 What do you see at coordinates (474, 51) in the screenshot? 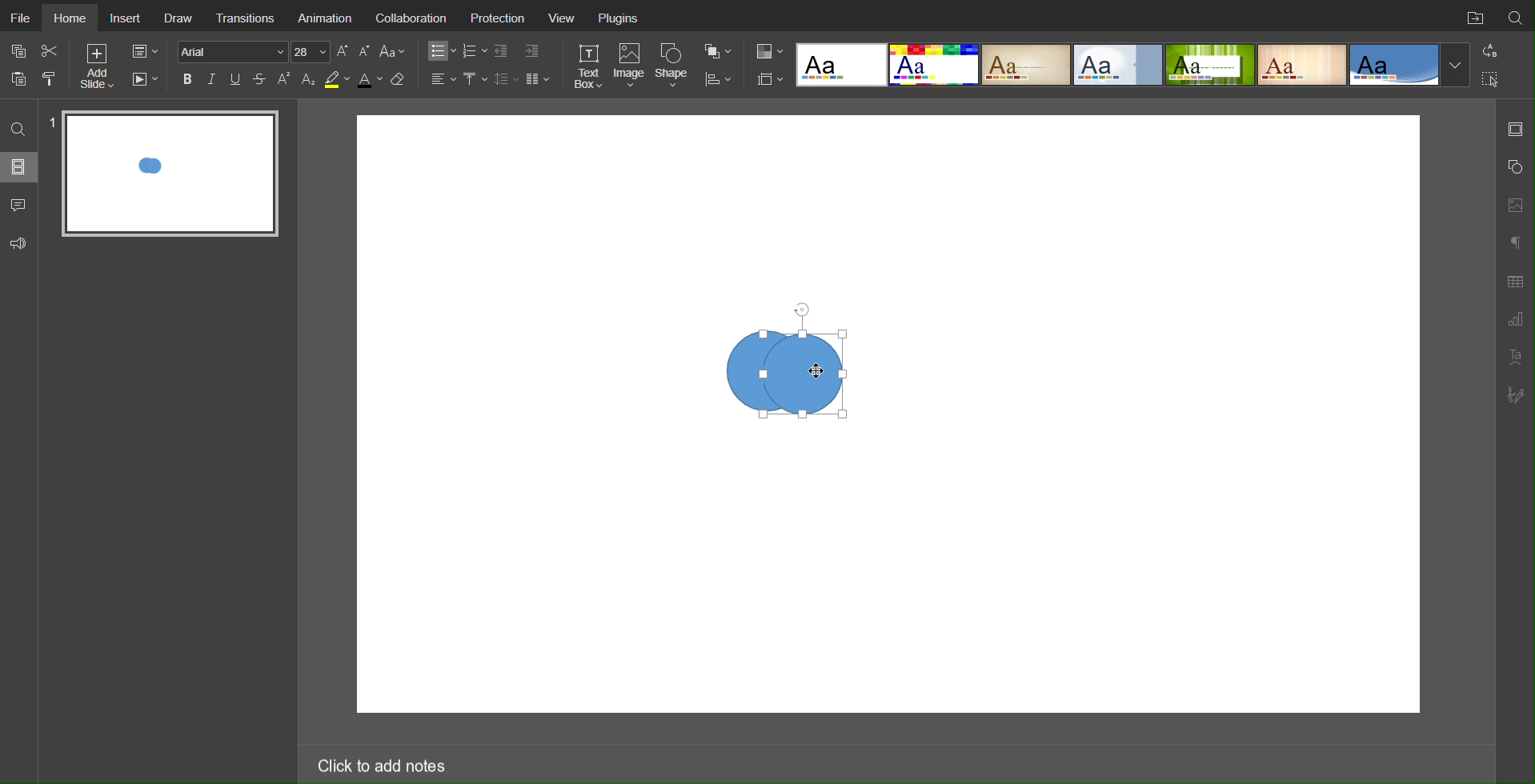
I see `Number List` at bounding box center [474, 51].